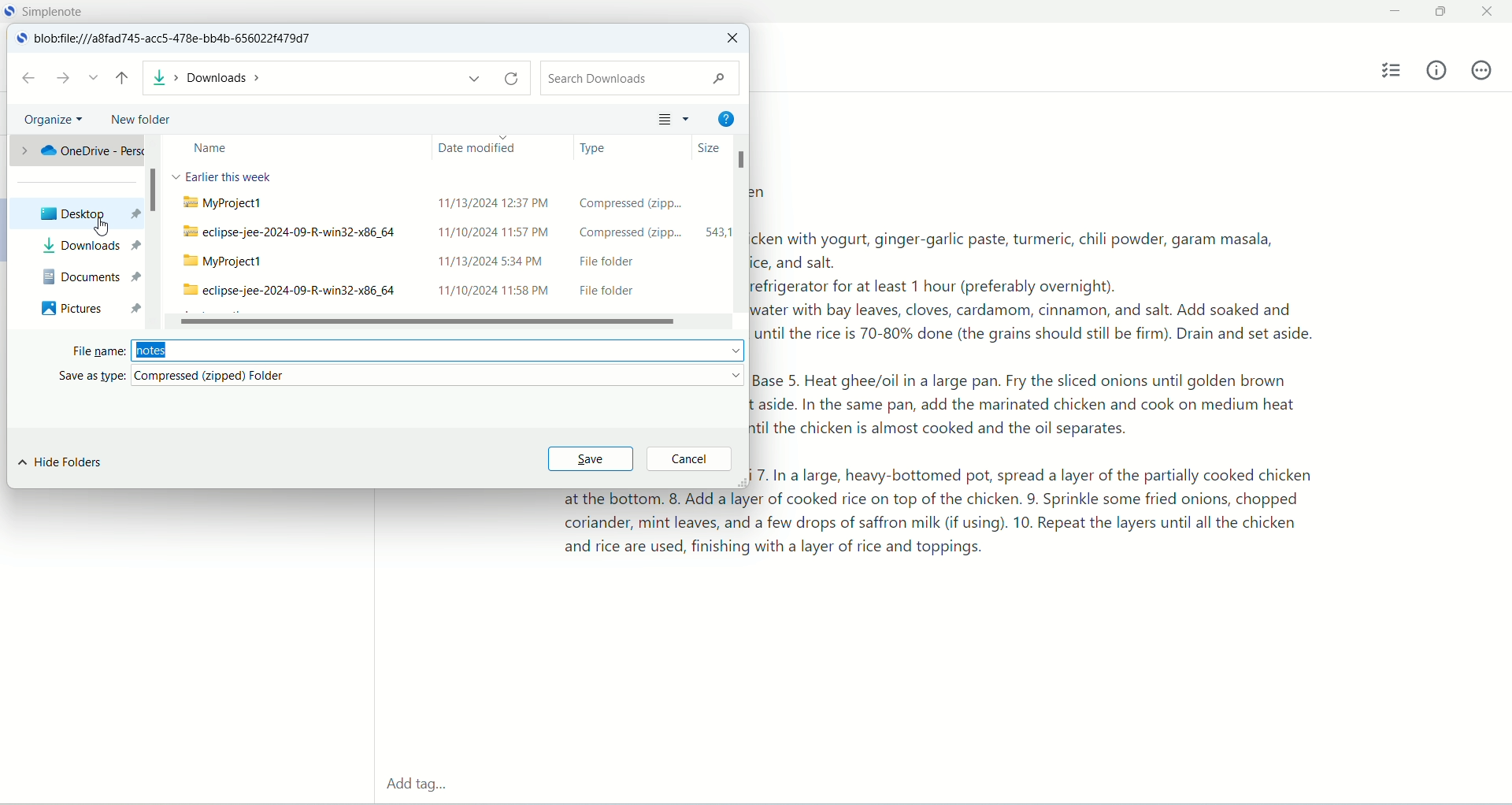 The height and width of the screenshot is (805, 1512). Describe the element at coordinates (637, 78) in the screenshot. I see `search` at that location.